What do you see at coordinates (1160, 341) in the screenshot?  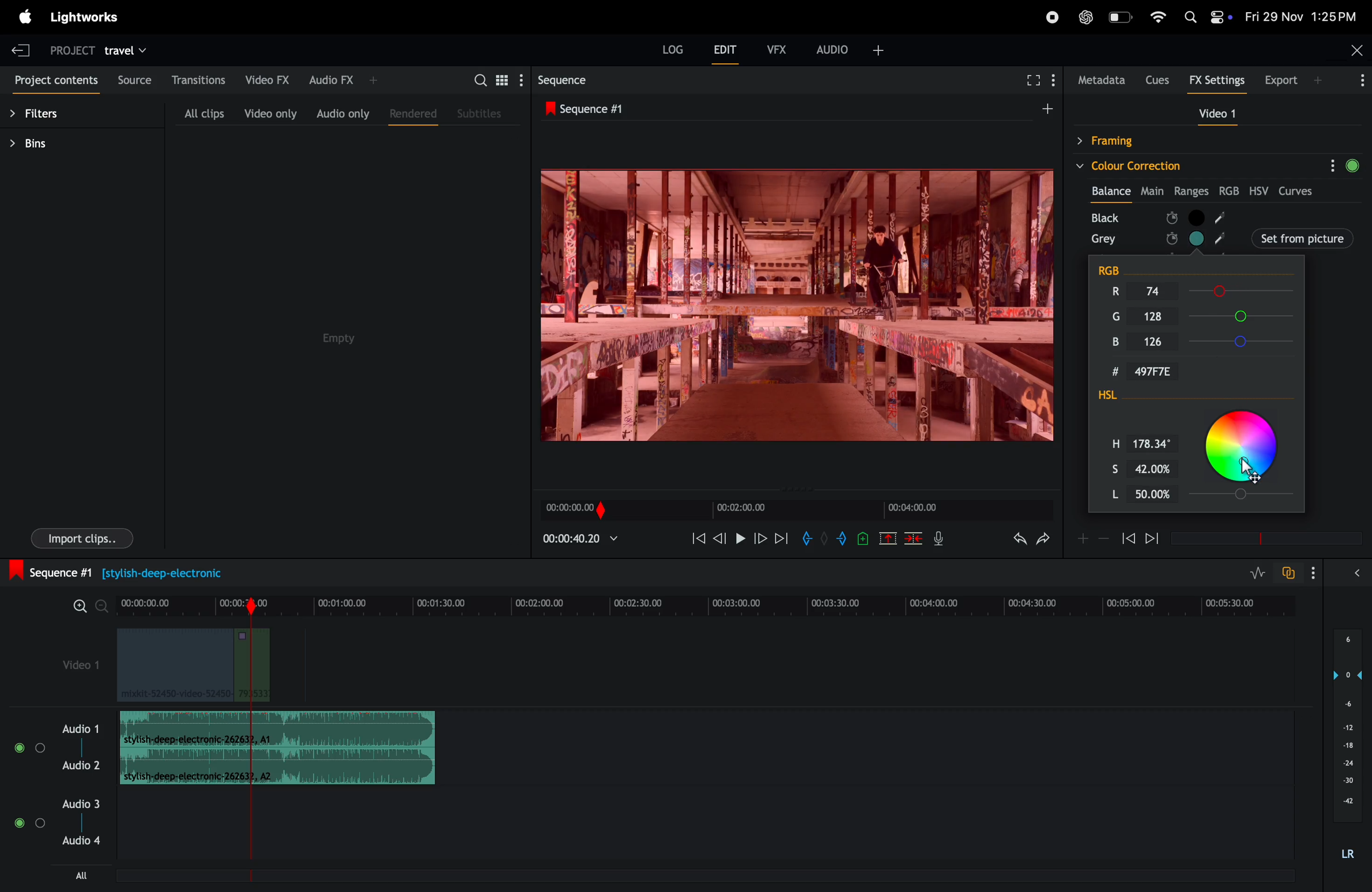 I see `B Input` at bounding box center [1160, 341].